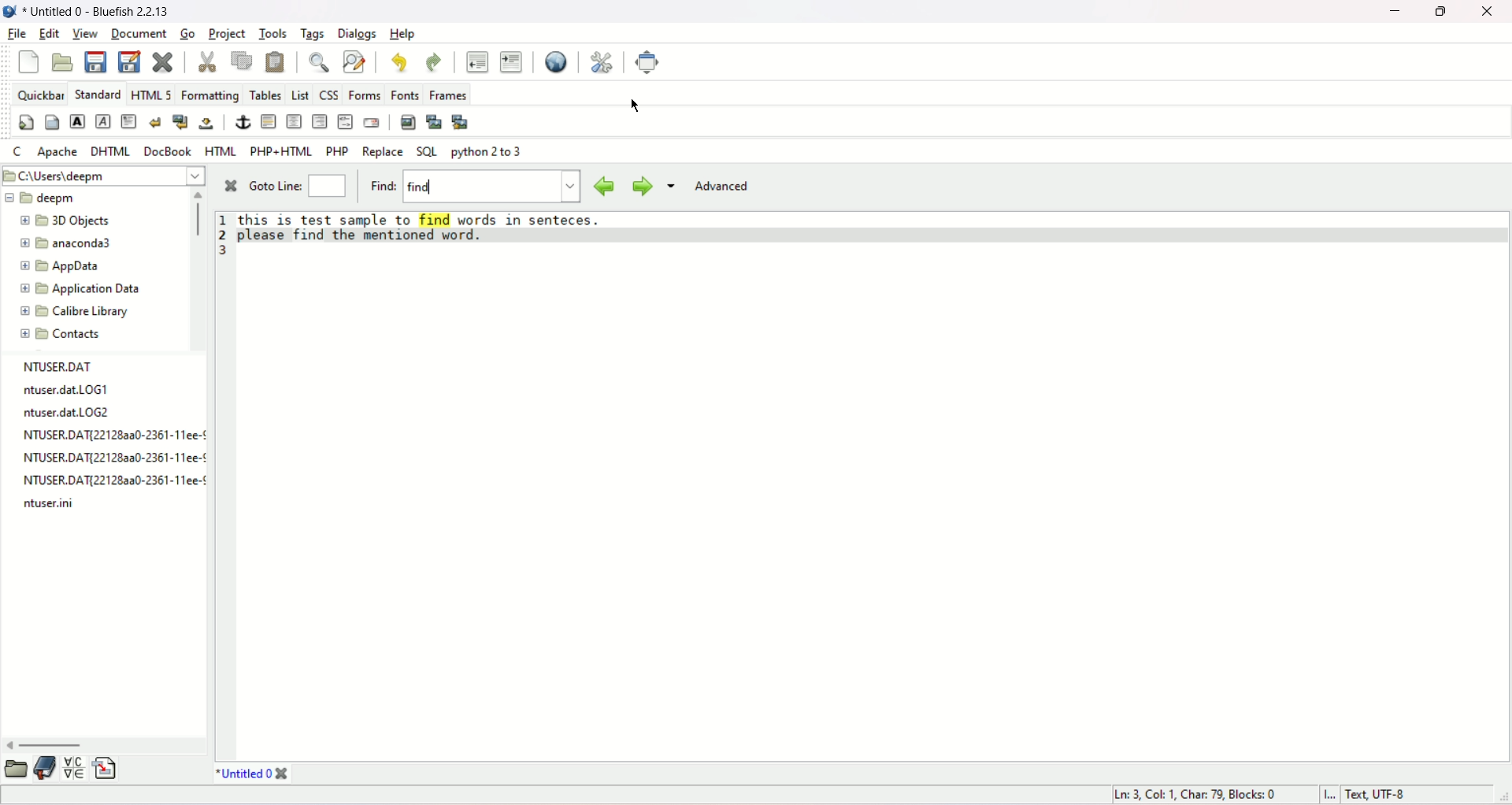 This screenshot has width=1512, height=805. Describe the element at coordinates (75, 414) in the screenshot. I see `ntuser.dat.LOG2` at that location.